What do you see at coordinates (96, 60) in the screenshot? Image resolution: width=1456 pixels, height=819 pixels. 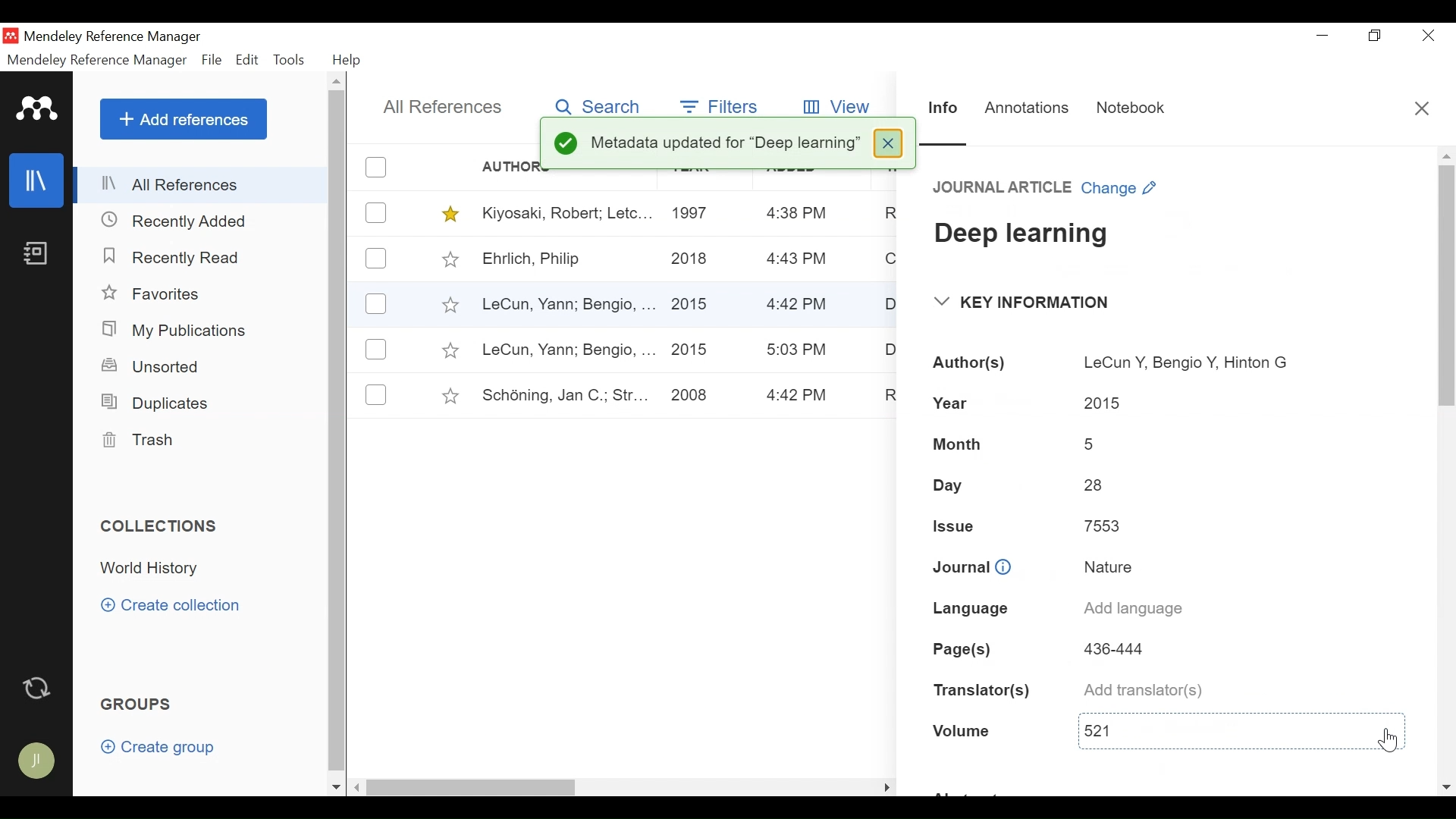 I see `Mendeley Reference Manager` at bounding box center [96, 60].